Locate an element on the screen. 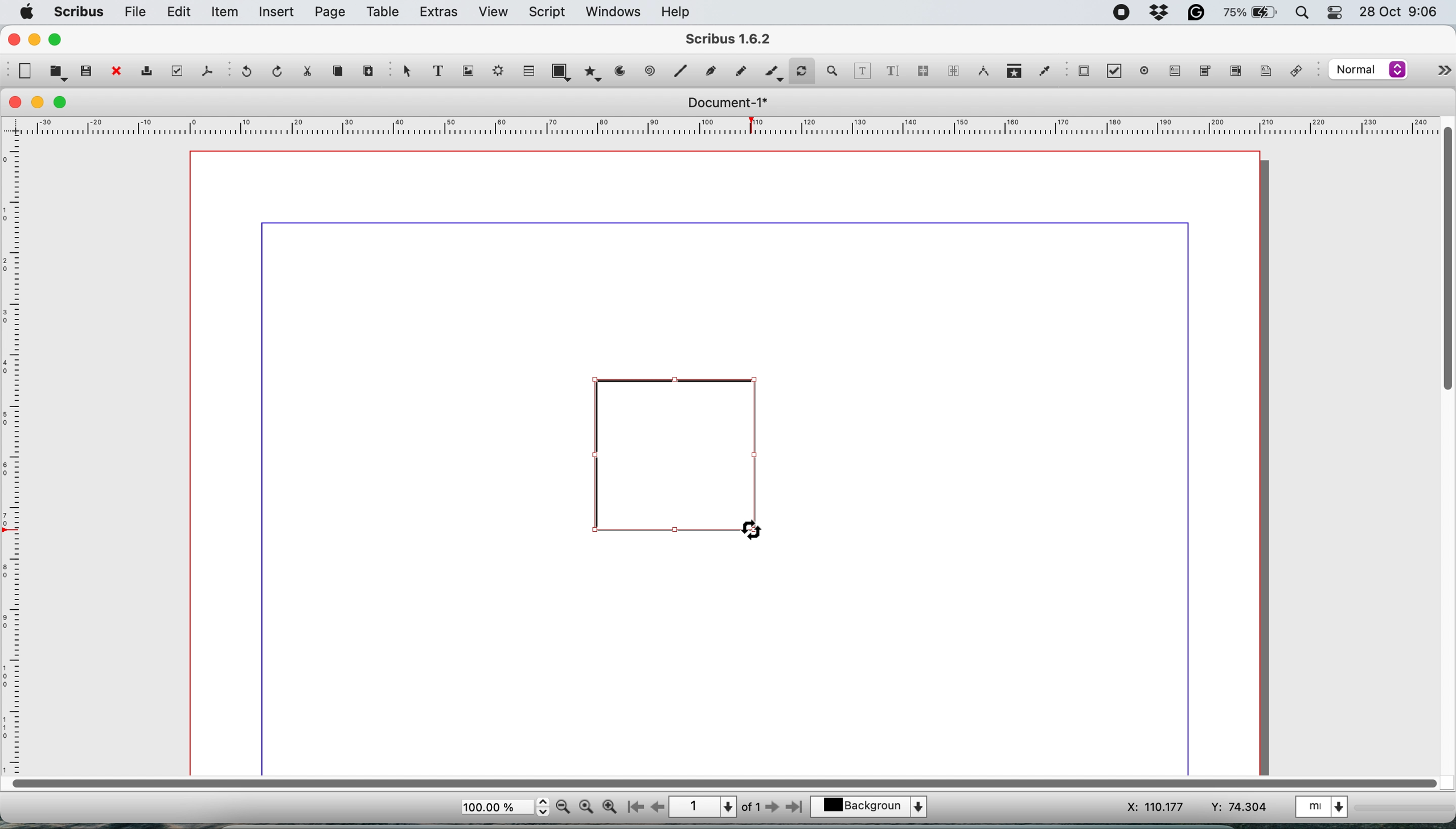 The image size is (1456, 829). polygon is located at coordinates (592, 75).